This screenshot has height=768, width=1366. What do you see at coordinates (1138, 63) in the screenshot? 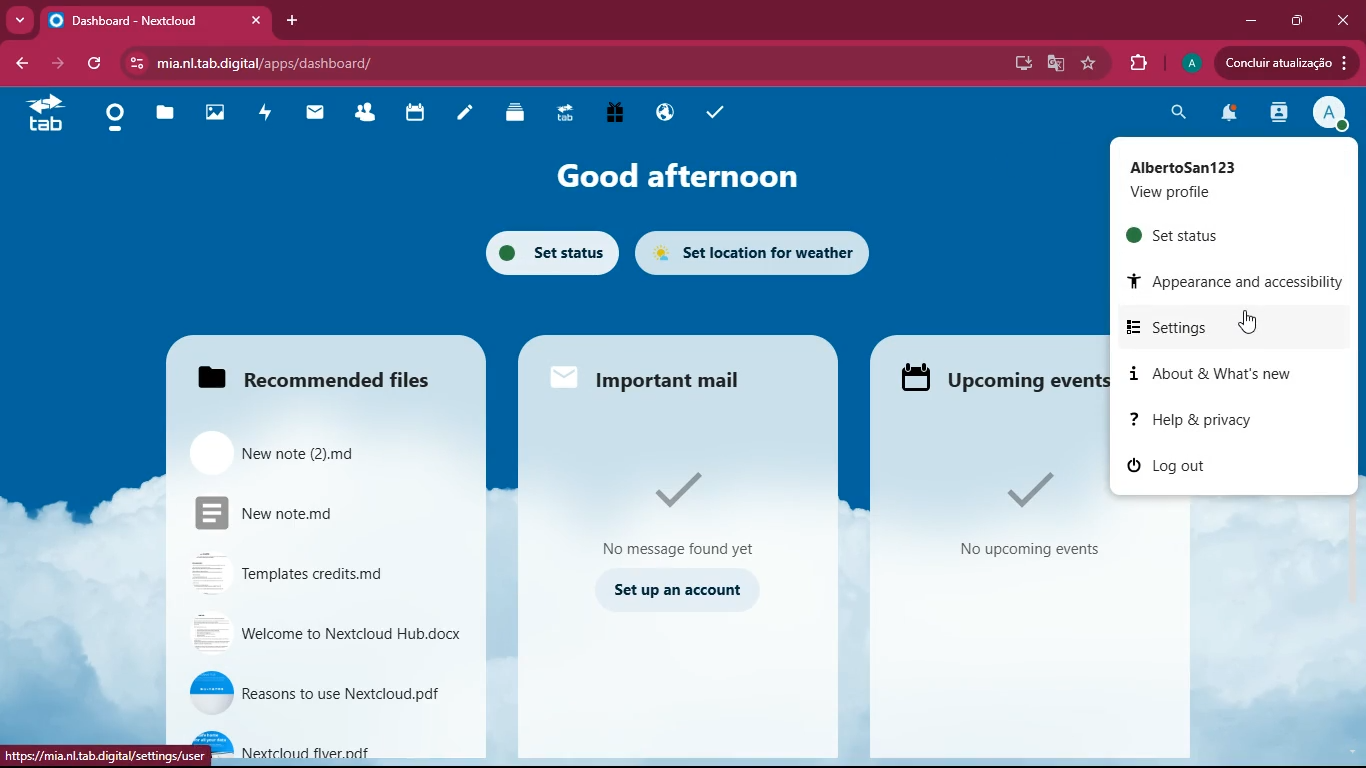
I see `extensions` at bounding box center [1138, 63].